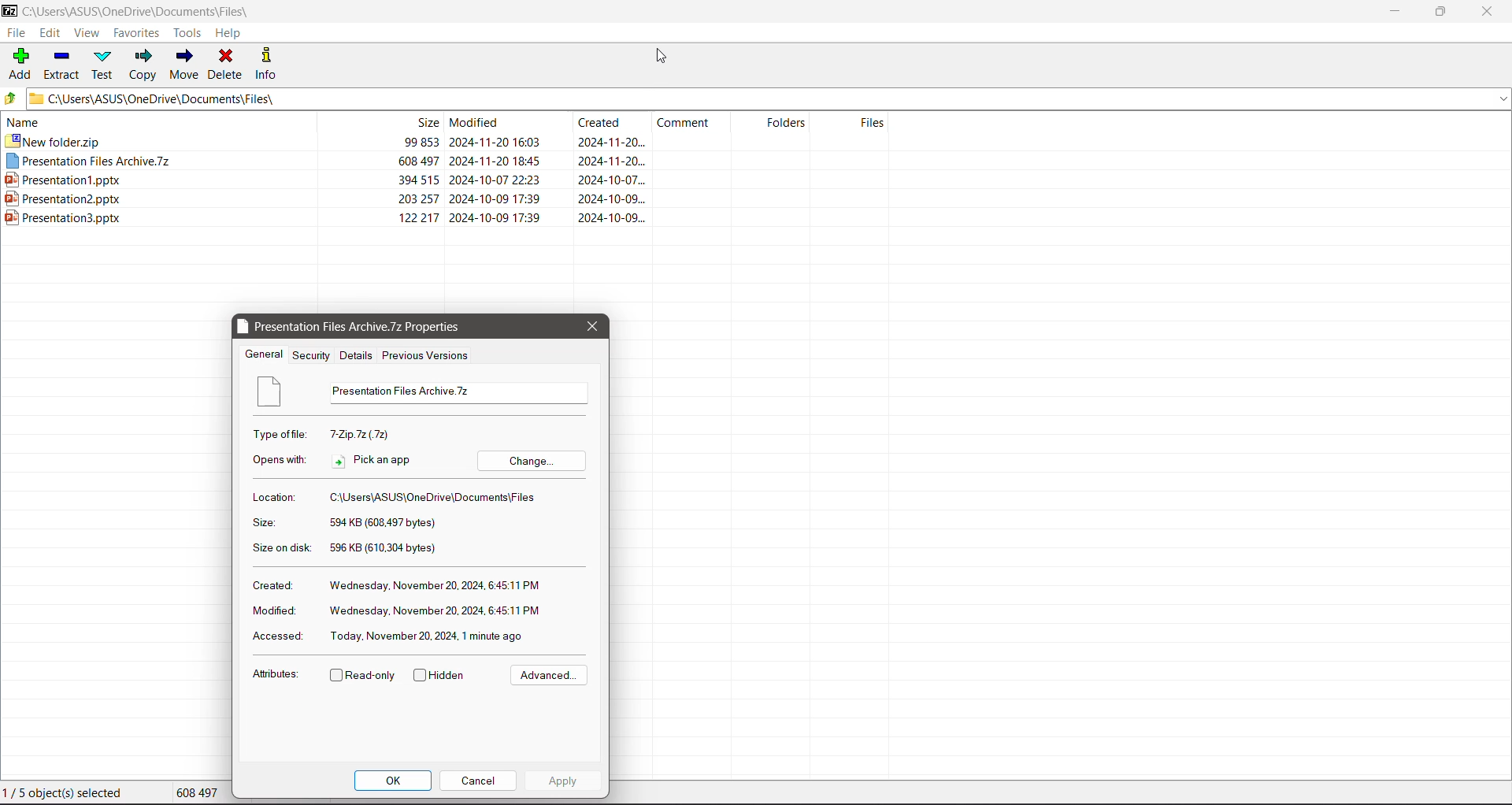 Image resolution: width=1512 pixels, height=805 pixels. What do you see at coordinates (770, 124) in the screenshot?
I see `Folders` at bounding box center [770, 124].